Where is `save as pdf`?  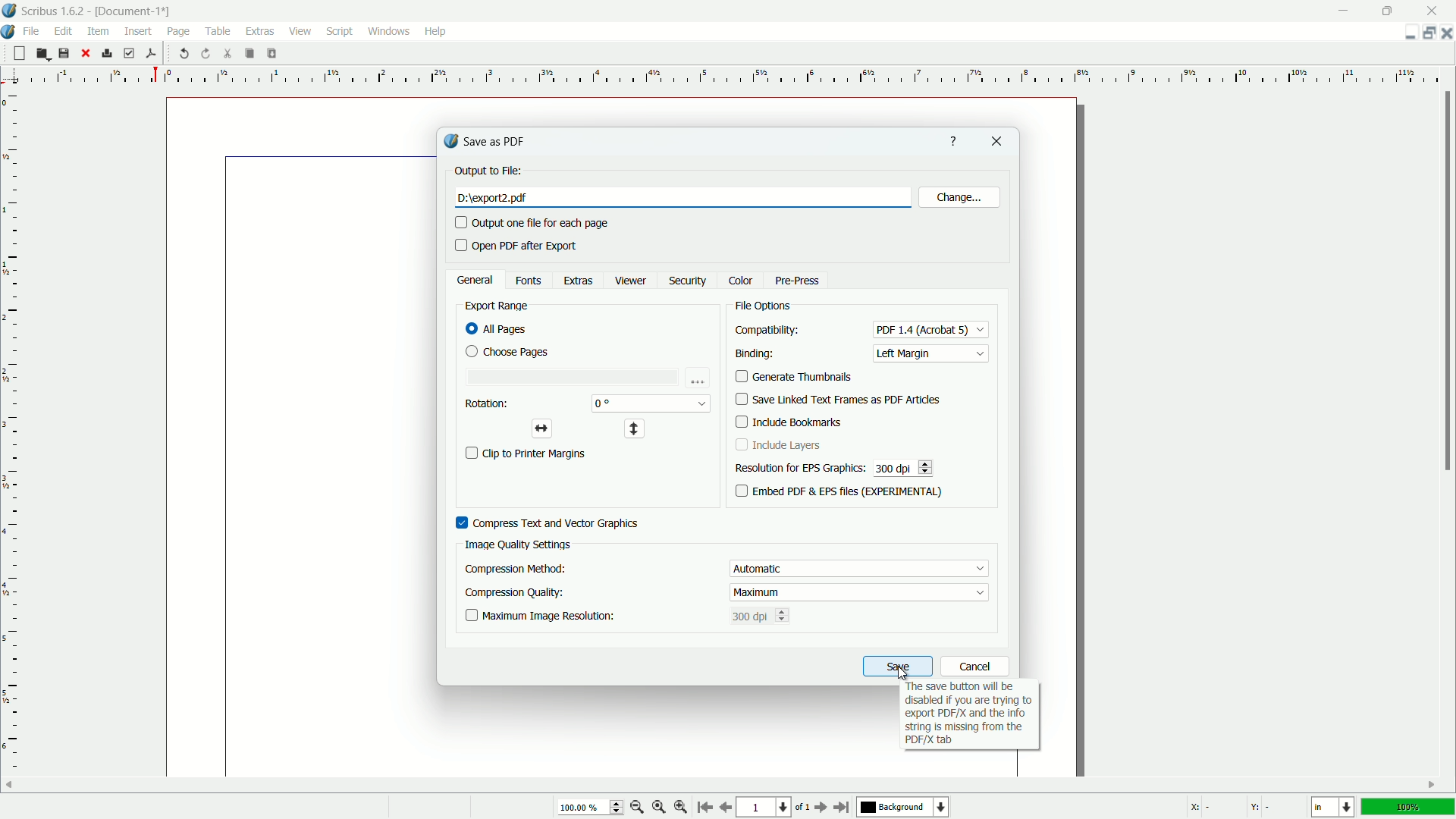 save as pdf is located at coordinates (497, 142).